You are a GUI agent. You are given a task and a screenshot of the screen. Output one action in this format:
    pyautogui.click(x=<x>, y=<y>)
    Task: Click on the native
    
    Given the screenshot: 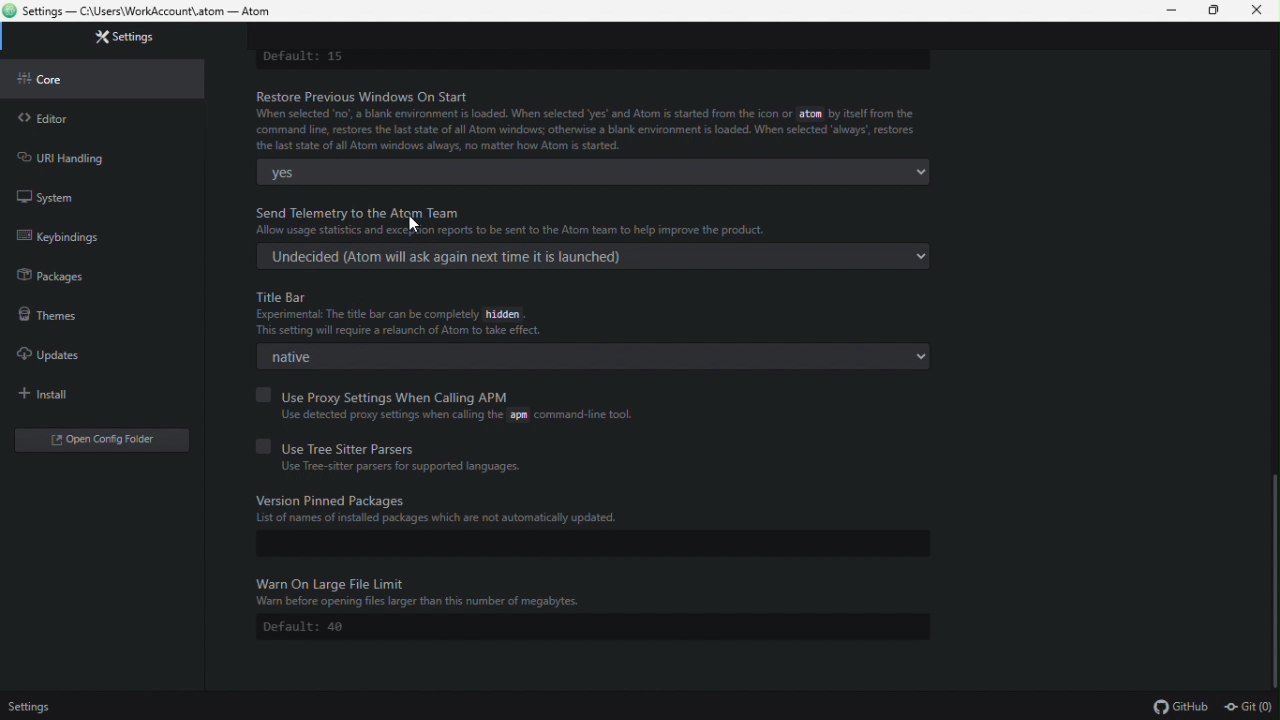 What is the action you would take?
    pyautogui.click(x=595, y=356)
    